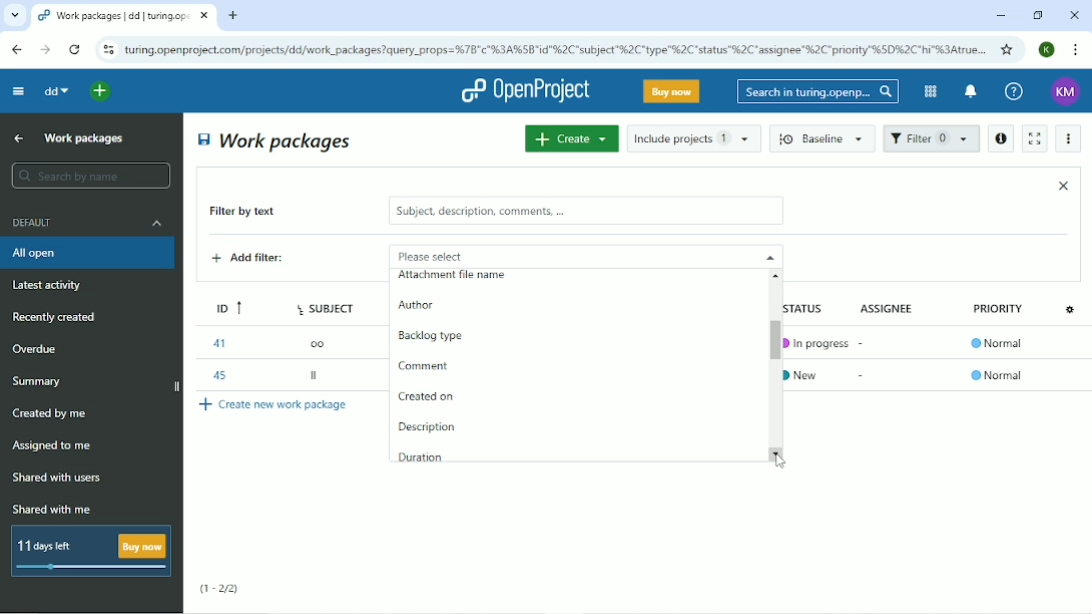 The image size is (1092, 614). I want to click on 41, so click(218, 343).